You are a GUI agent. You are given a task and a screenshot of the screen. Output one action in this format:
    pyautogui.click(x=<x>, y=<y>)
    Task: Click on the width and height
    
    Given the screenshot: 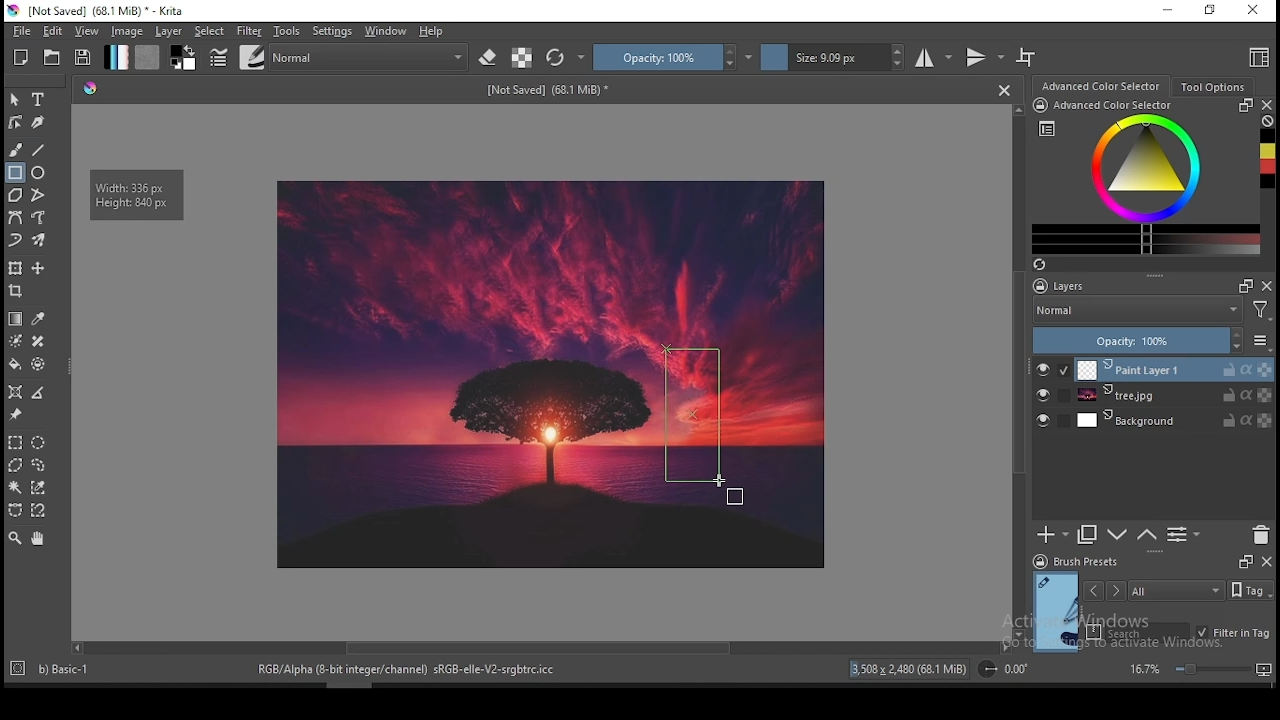 What is the action you would take?
    pyautogui.click(x=138, y=194)
    